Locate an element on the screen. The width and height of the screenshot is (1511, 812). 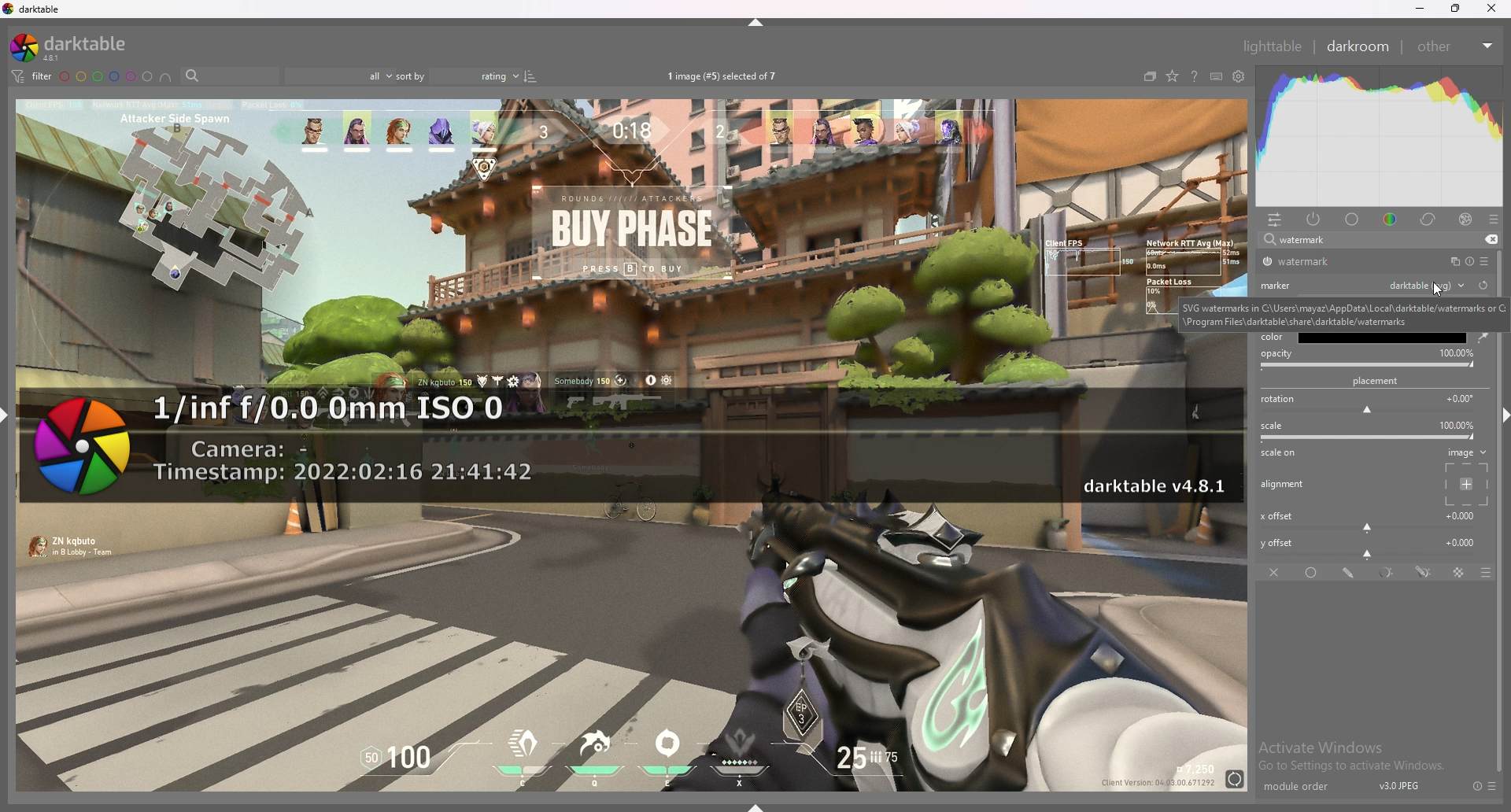
correct is located at coordinates (1429, 219).